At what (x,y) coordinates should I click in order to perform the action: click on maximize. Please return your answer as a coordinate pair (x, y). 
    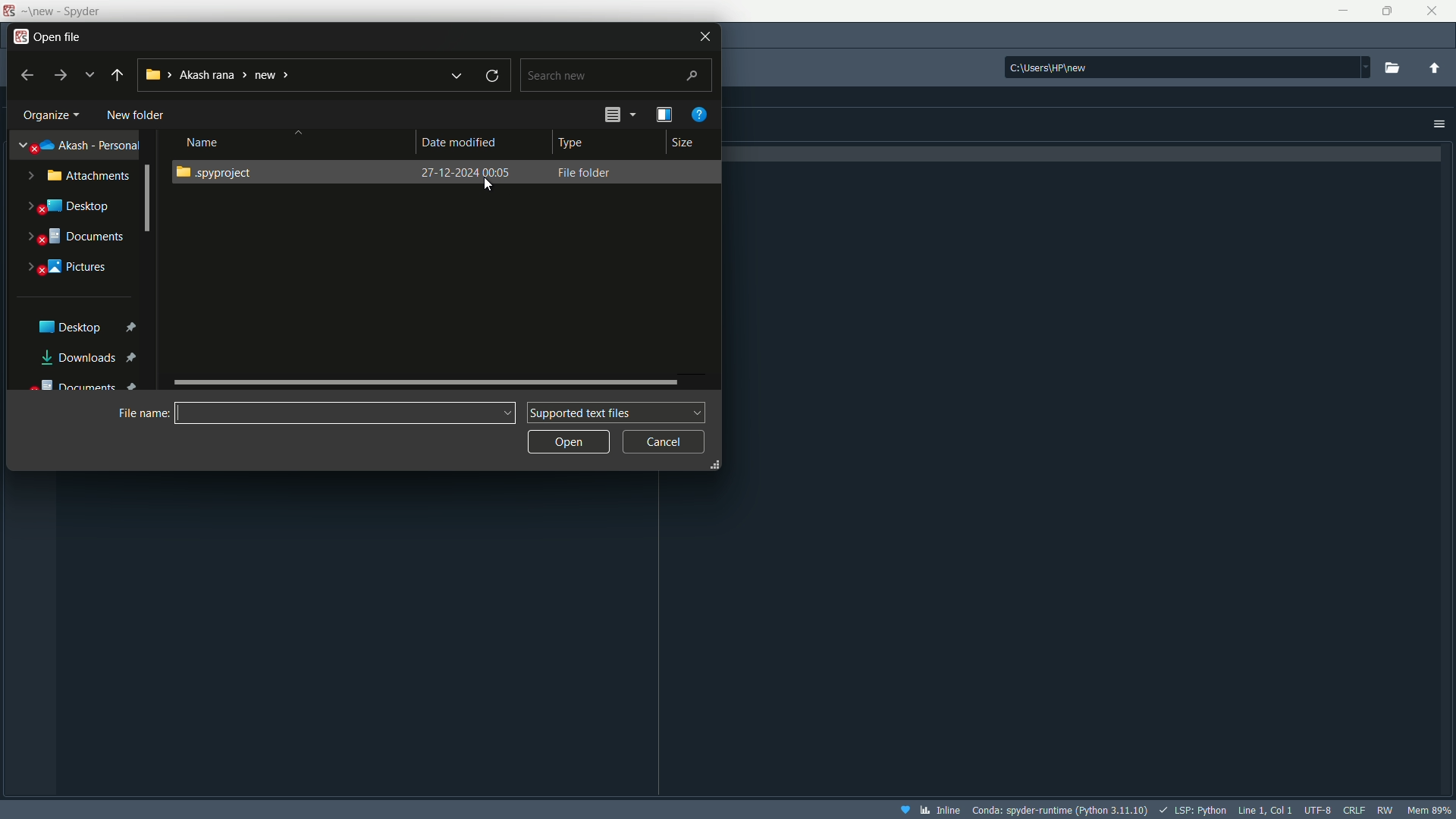
    Looking at the image, I should click on (1392, 11).